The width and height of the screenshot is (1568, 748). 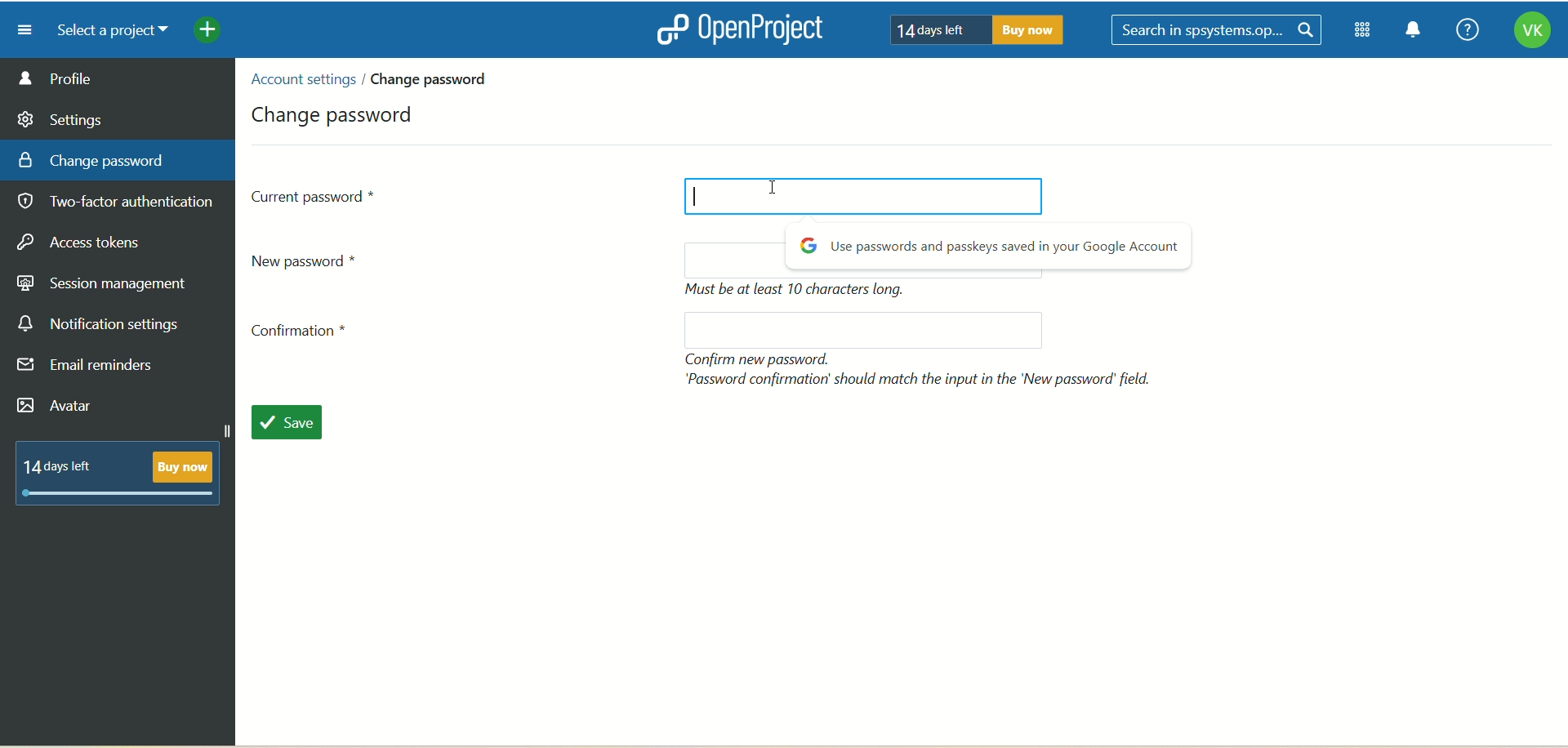 I want to click on save, so click(x=296, y=425).